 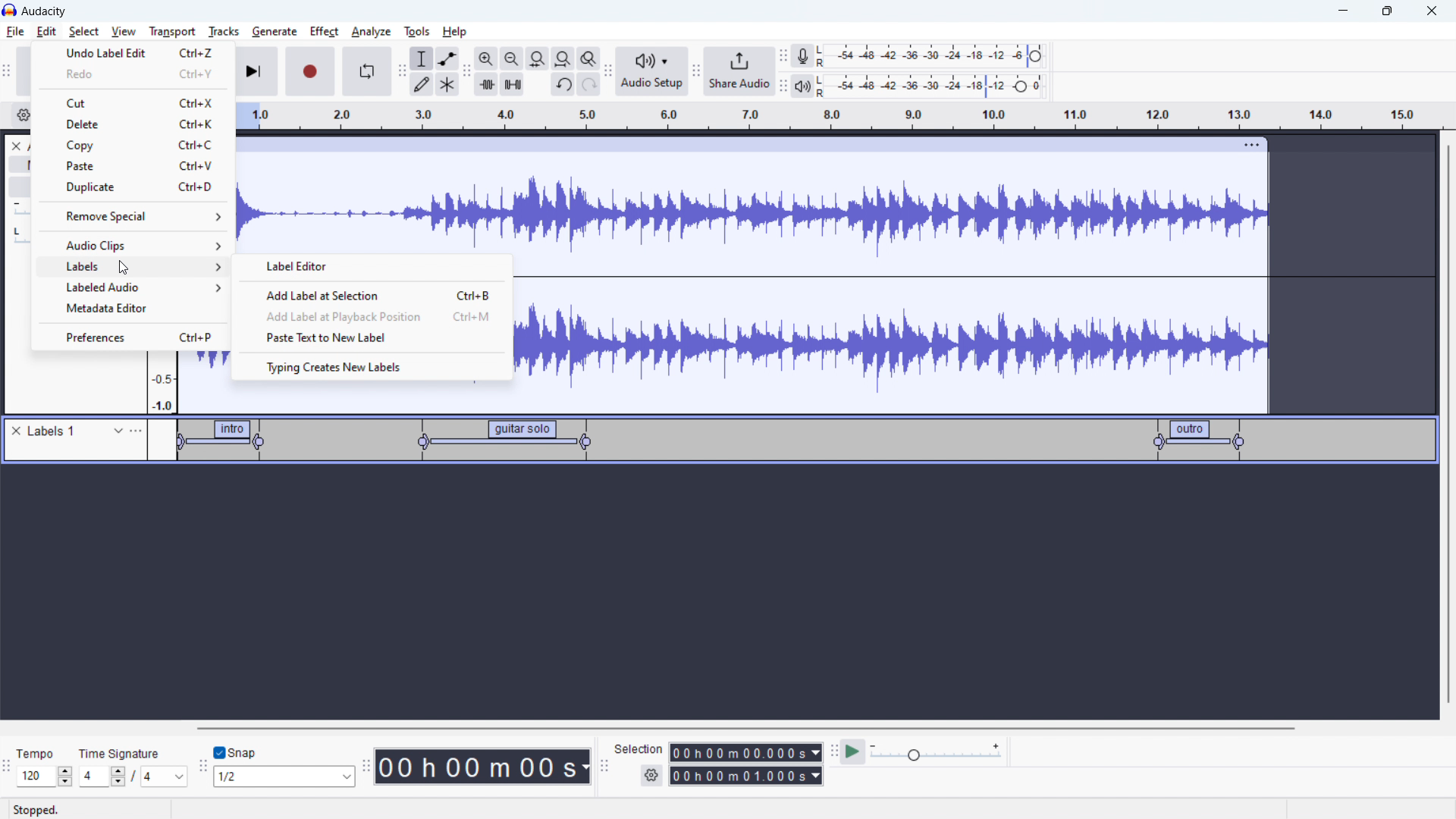 I want to click on delete, so click(x=133, y=124).